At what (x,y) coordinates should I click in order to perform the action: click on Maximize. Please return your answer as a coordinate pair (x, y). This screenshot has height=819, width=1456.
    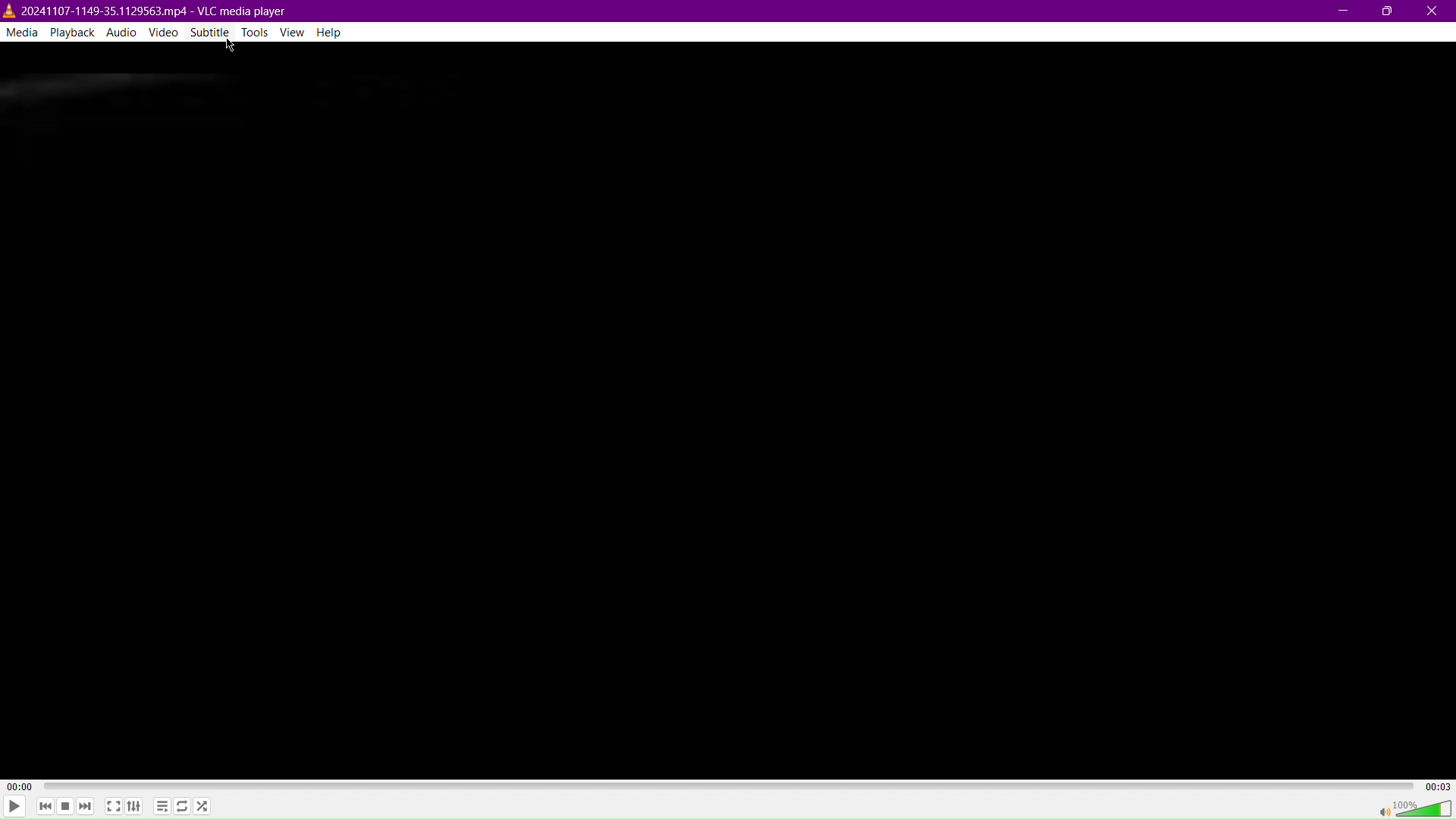
    Looking at the image, I should click on (1387, 11).